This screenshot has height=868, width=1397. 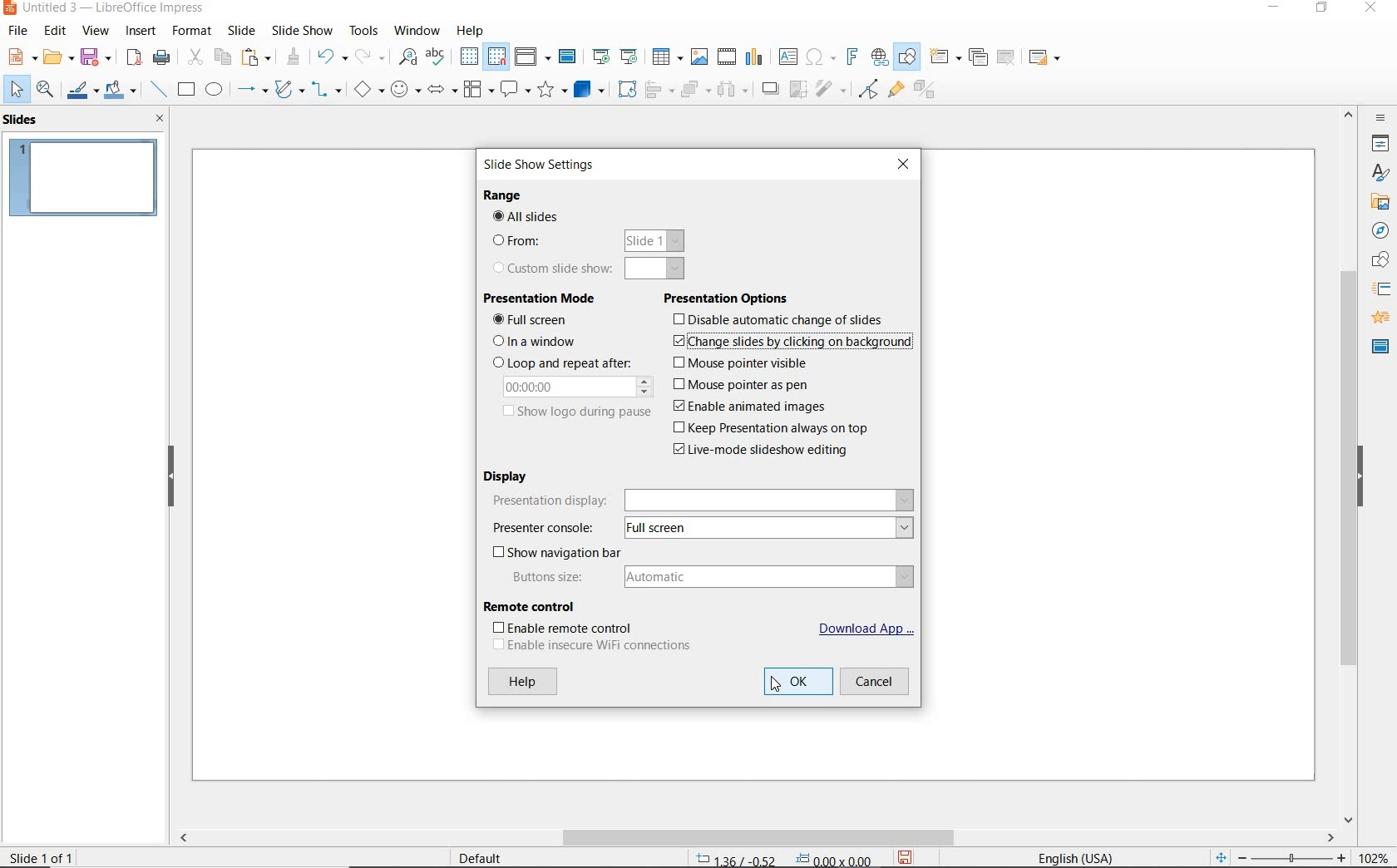 What do you see at coordinates (437, 57) in the screenshot?
I see `SPELLING` at bounding box center [437, 57].